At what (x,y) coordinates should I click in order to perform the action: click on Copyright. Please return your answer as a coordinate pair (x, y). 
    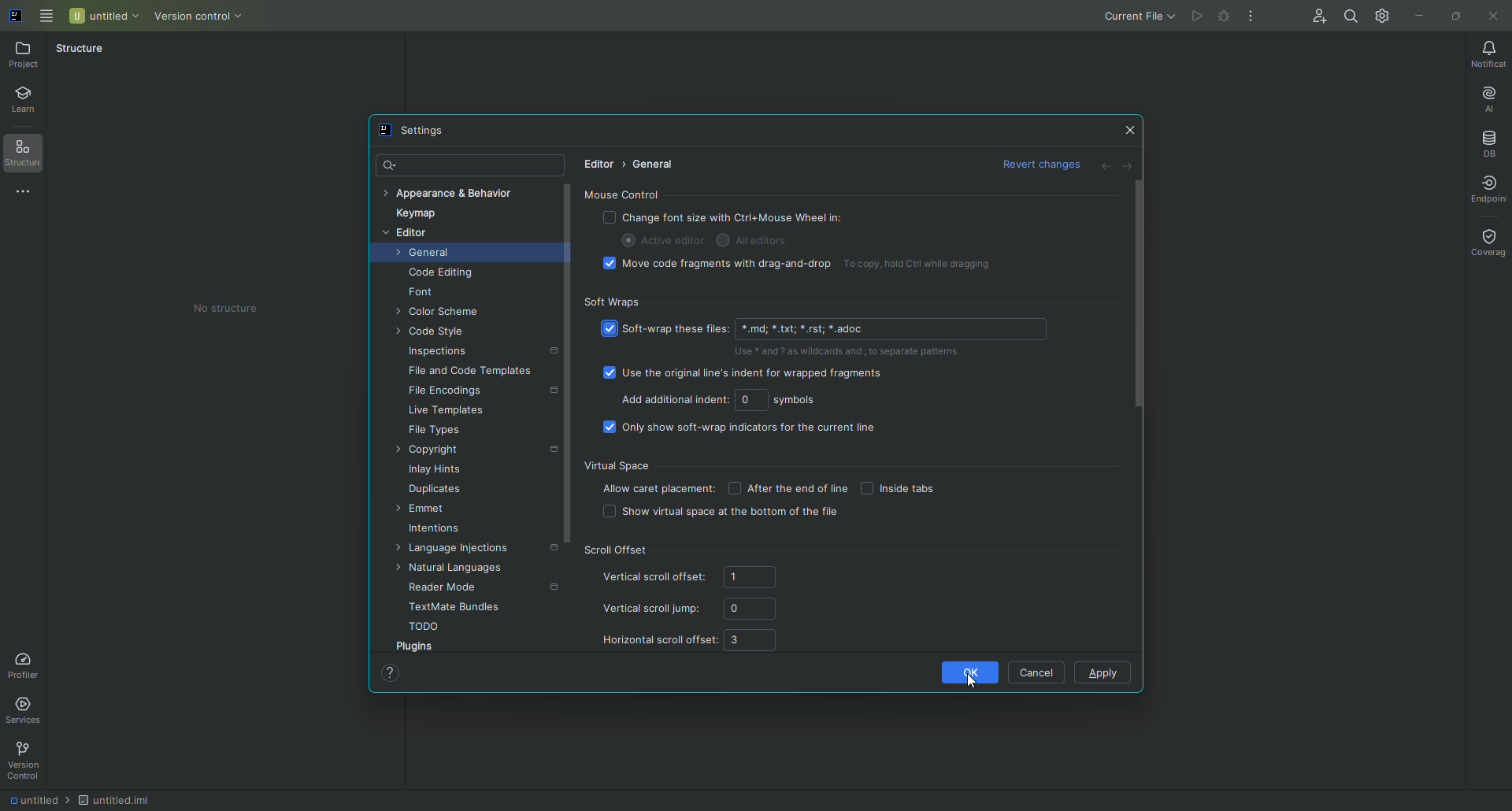
    Looking at the image, I should click on (433, 451).